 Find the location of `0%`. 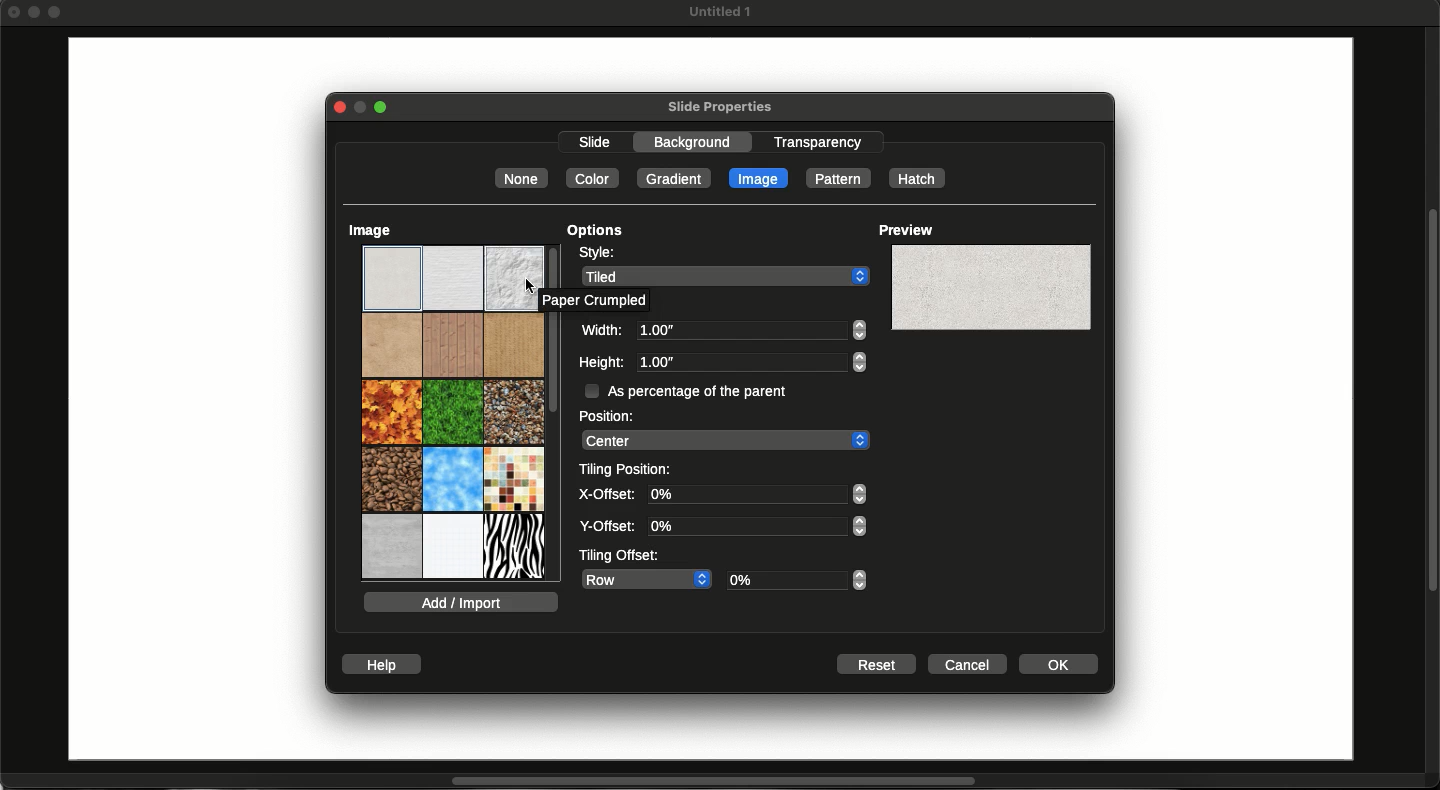

0% is located at coordinates (757, 526).